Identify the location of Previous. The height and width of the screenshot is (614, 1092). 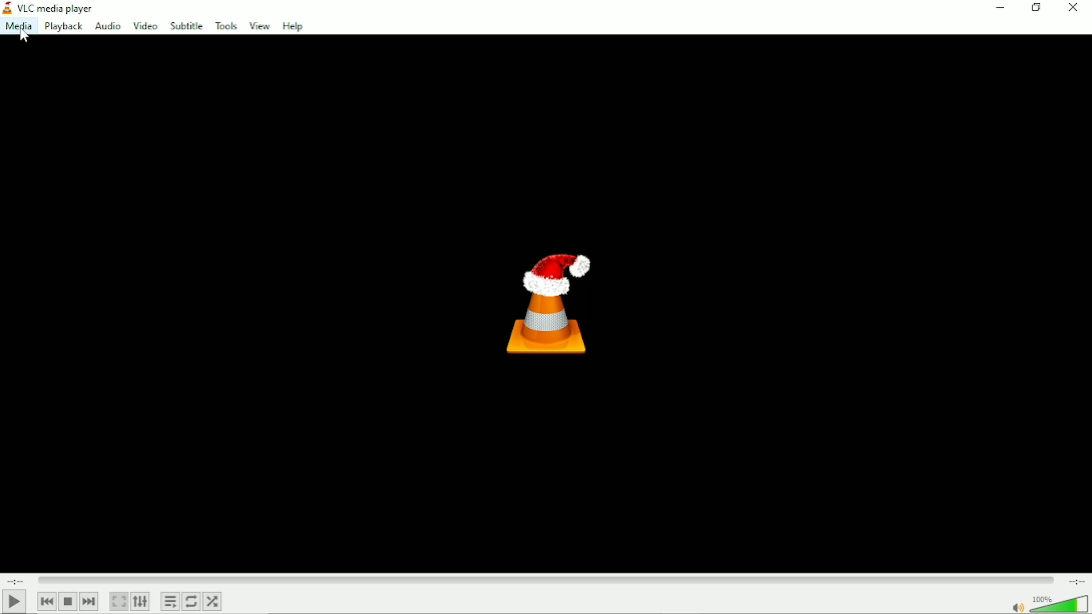
(45, 602).